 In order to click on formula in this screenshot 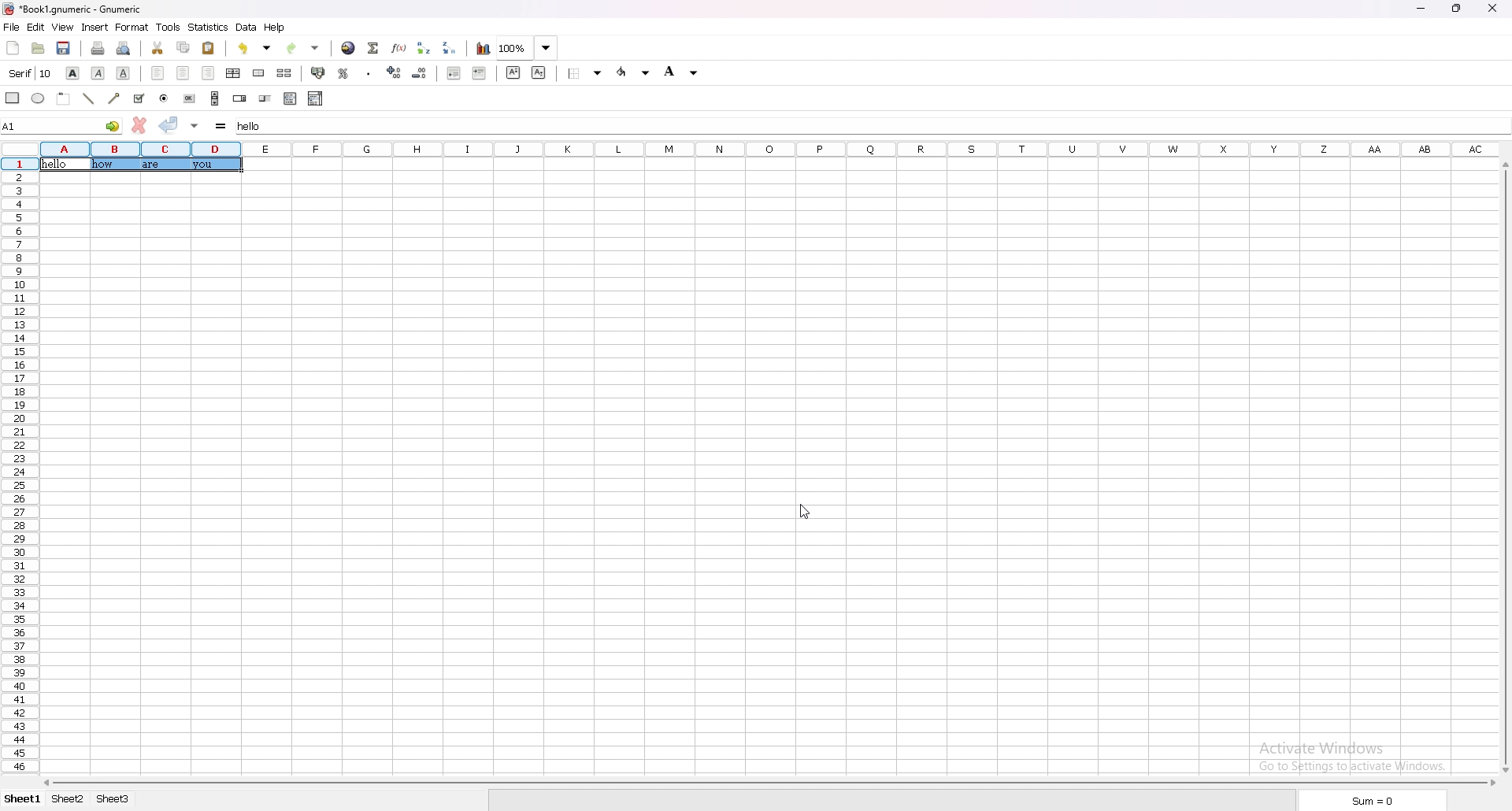, I will do `click(221, 125)`.